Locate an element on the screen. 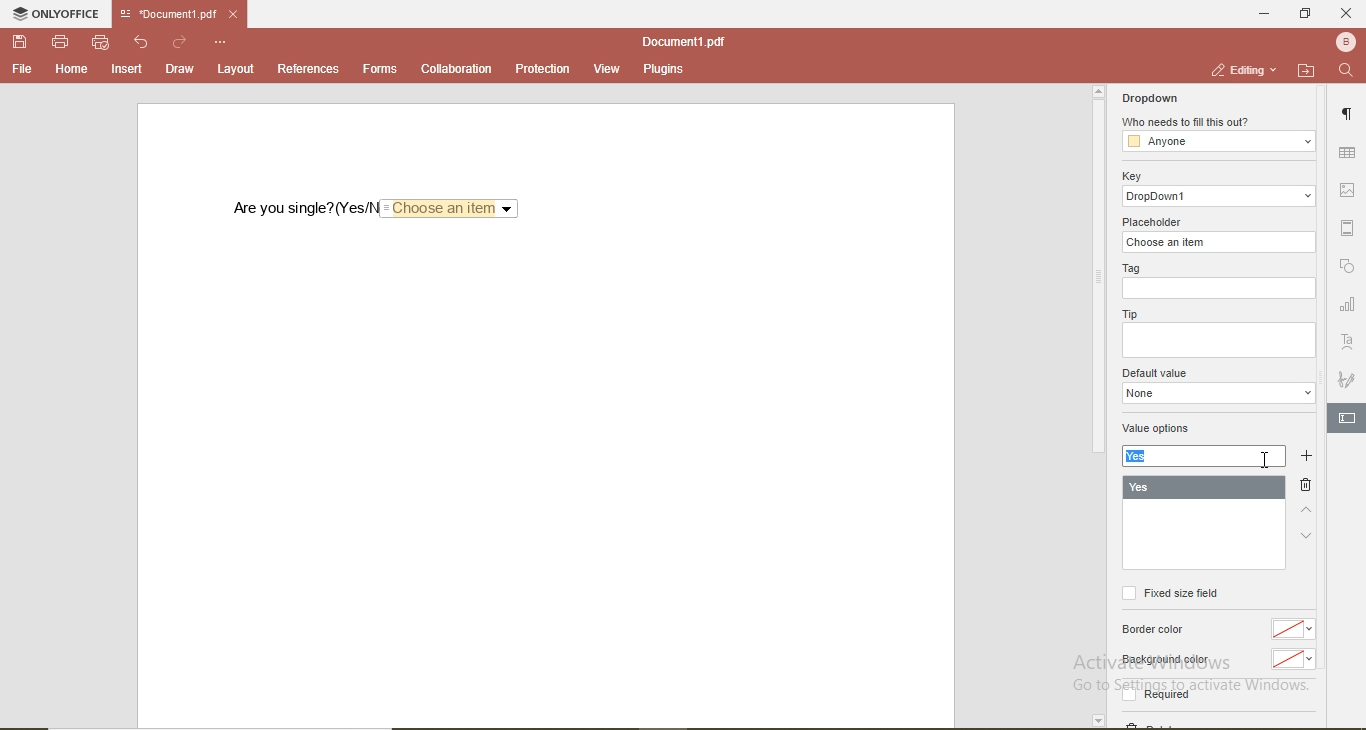  signature is located at coordinates (1348, 377).